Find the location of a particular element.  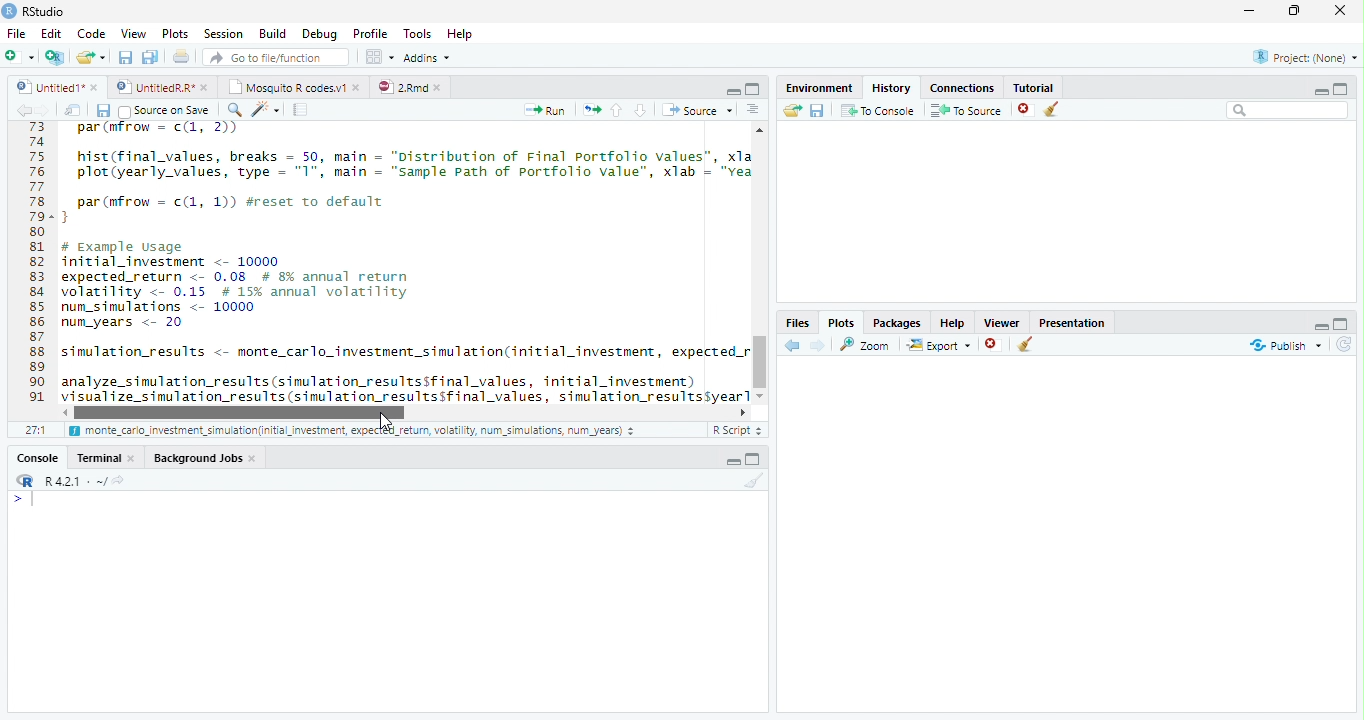

Untited1* is located at coordinates (55, 86).